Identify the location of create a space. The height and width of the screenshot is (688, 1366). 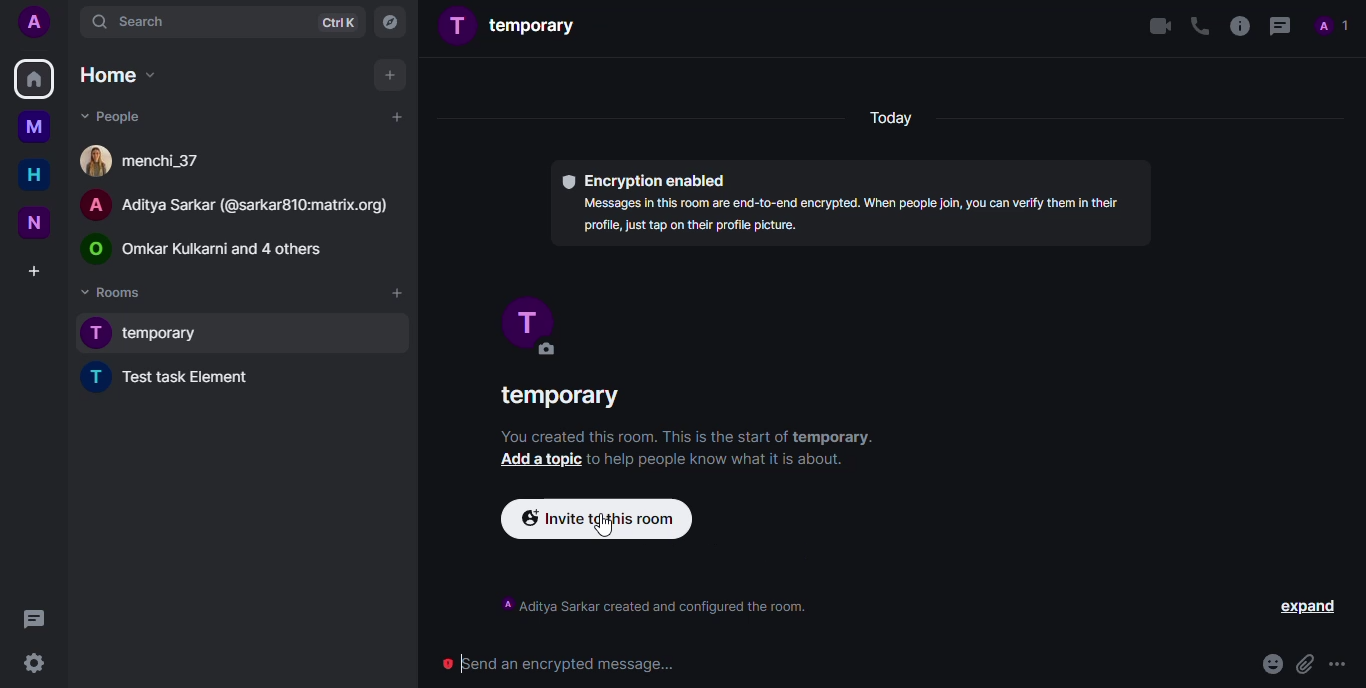
(34, 270).